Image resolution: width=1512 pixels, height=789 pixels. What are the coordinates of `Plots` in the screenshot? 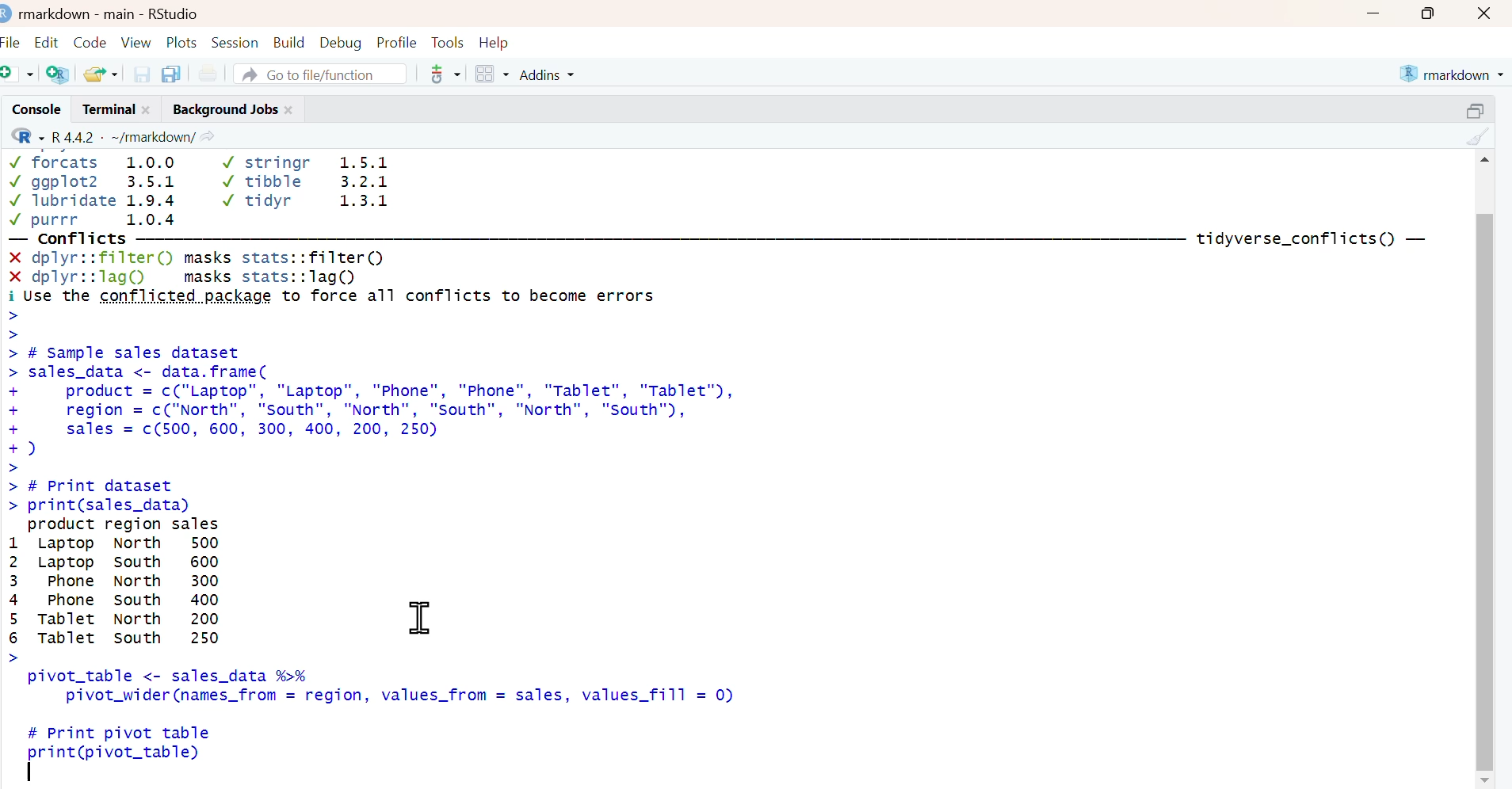 It's located at (182, 40).